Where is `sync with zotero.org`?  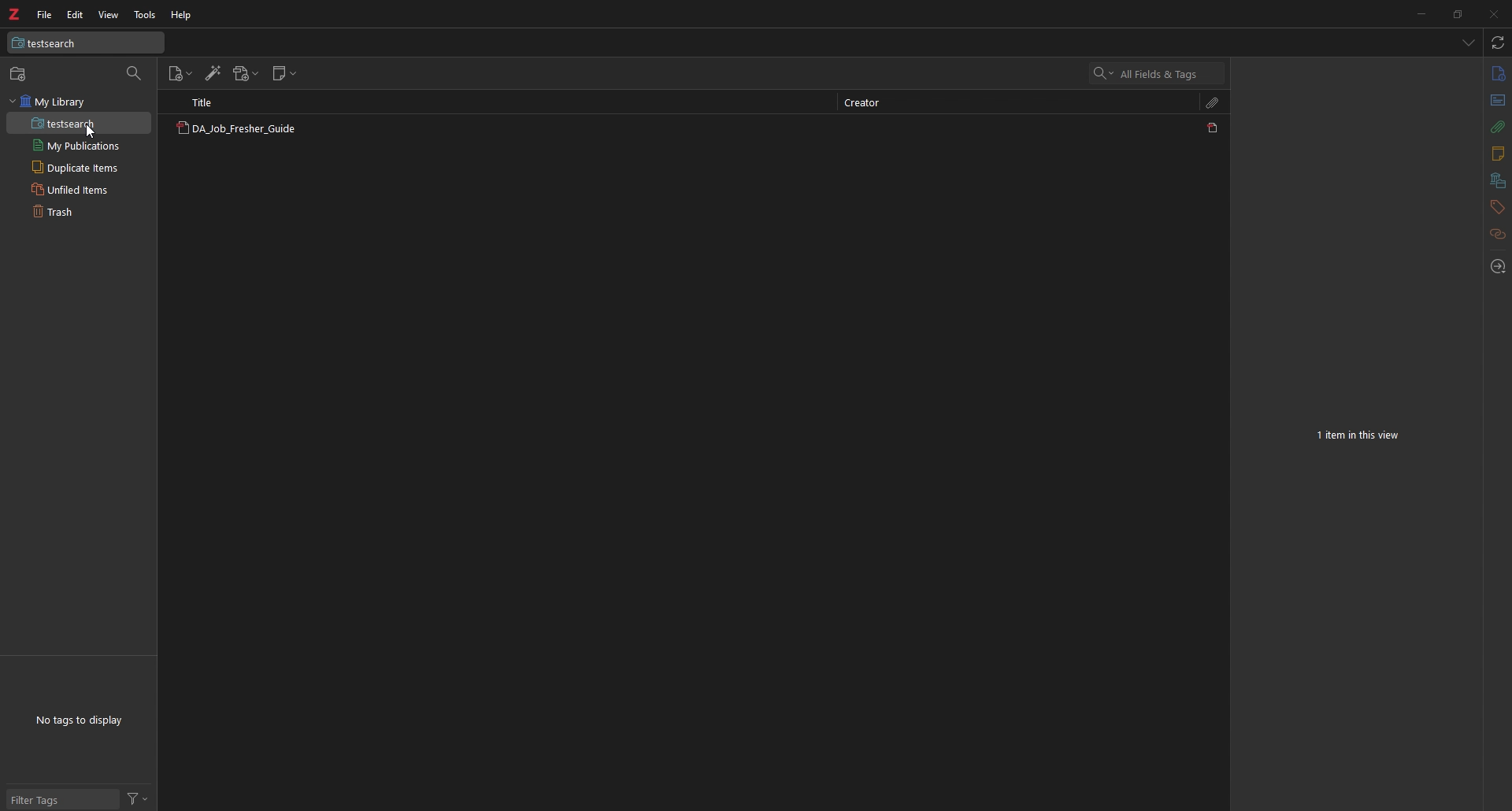 sync with zotero.org is located at coordinates (1499, 42).